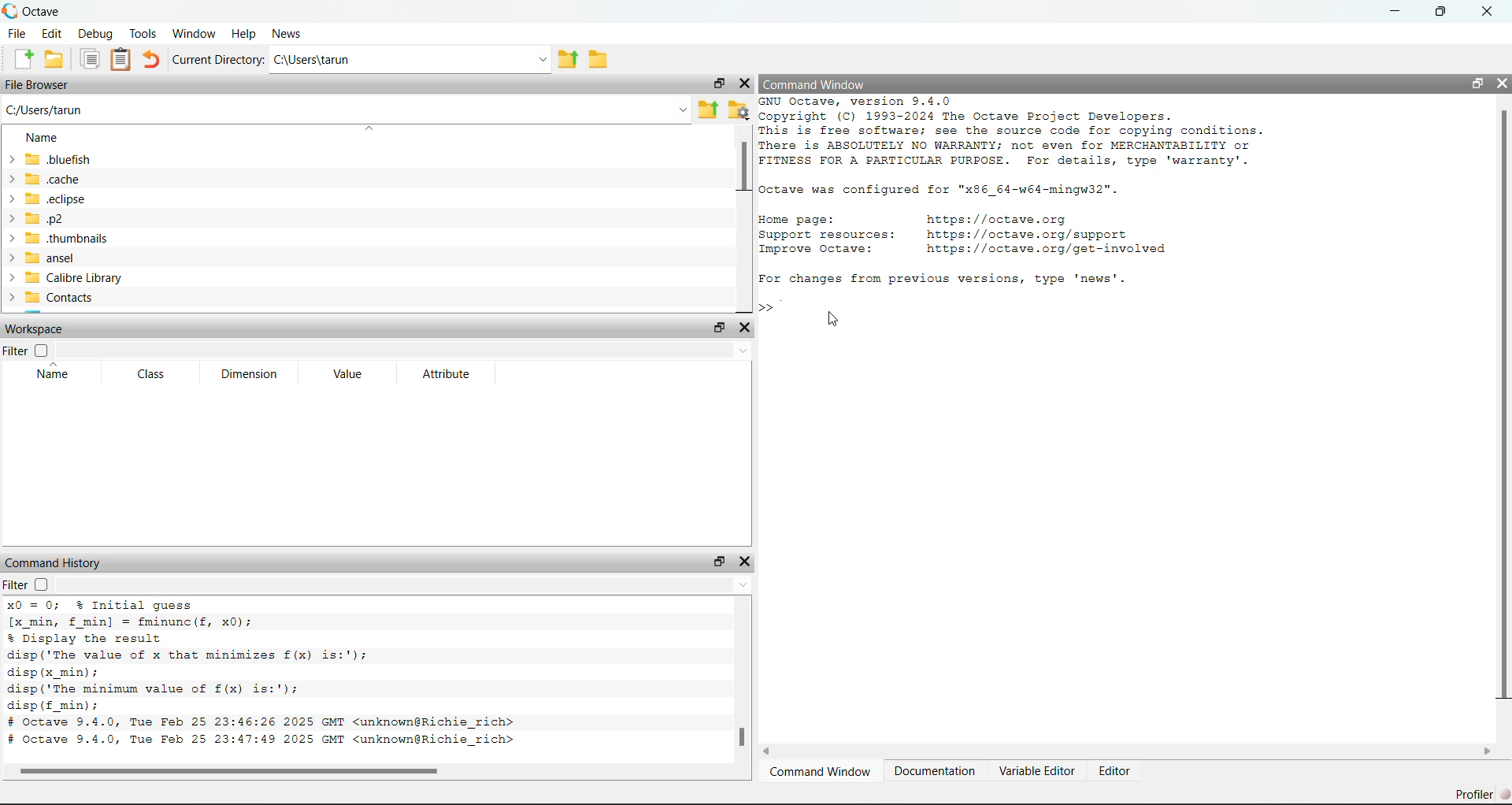 The image size is (1512, 805). Describe the element at coordinates (738, 107) in the screenshot. I see ` Browse your files` at that location.